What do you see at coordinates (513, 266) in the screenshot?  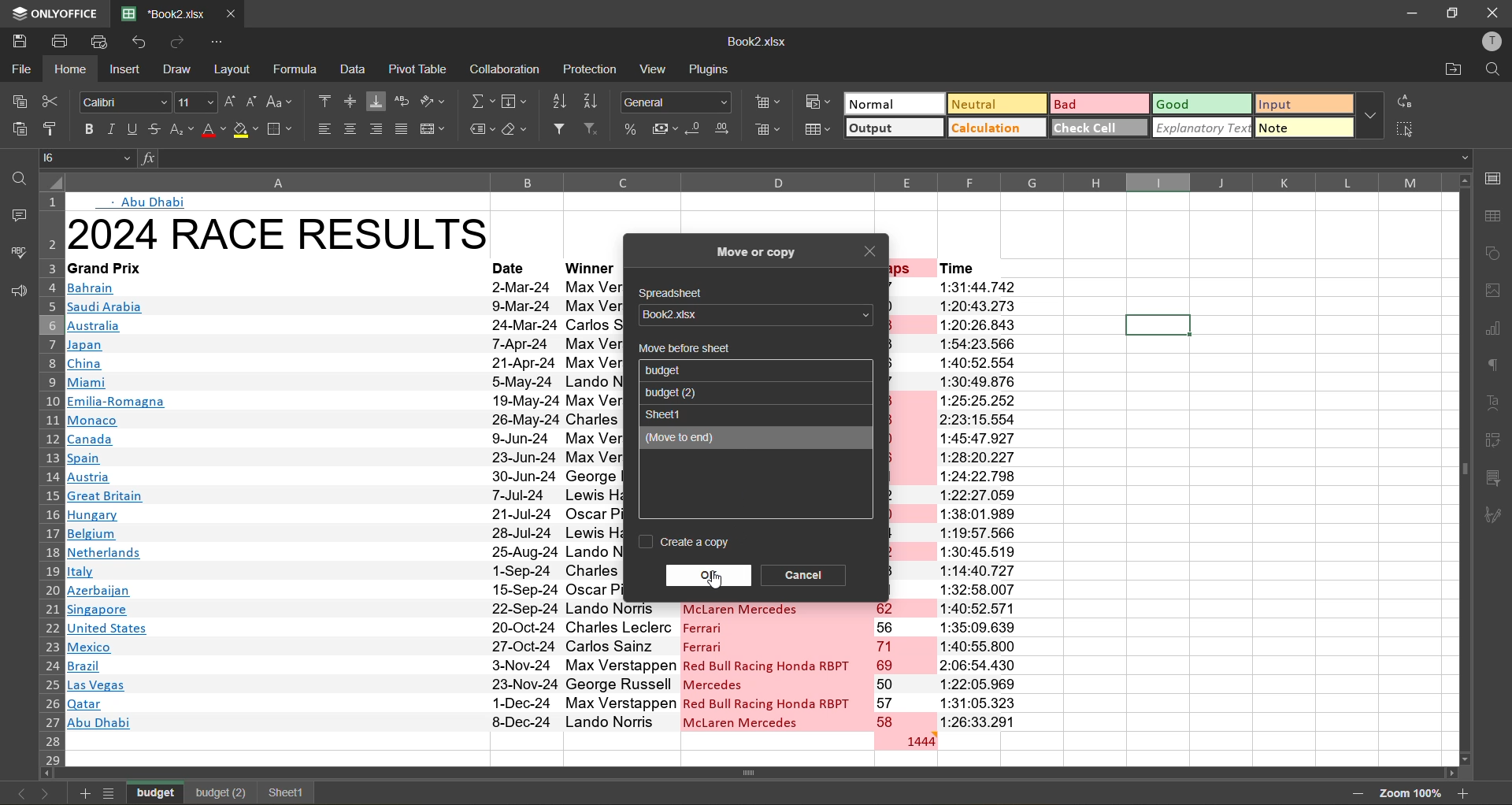 I see `date` at bounding box center [513, 266].